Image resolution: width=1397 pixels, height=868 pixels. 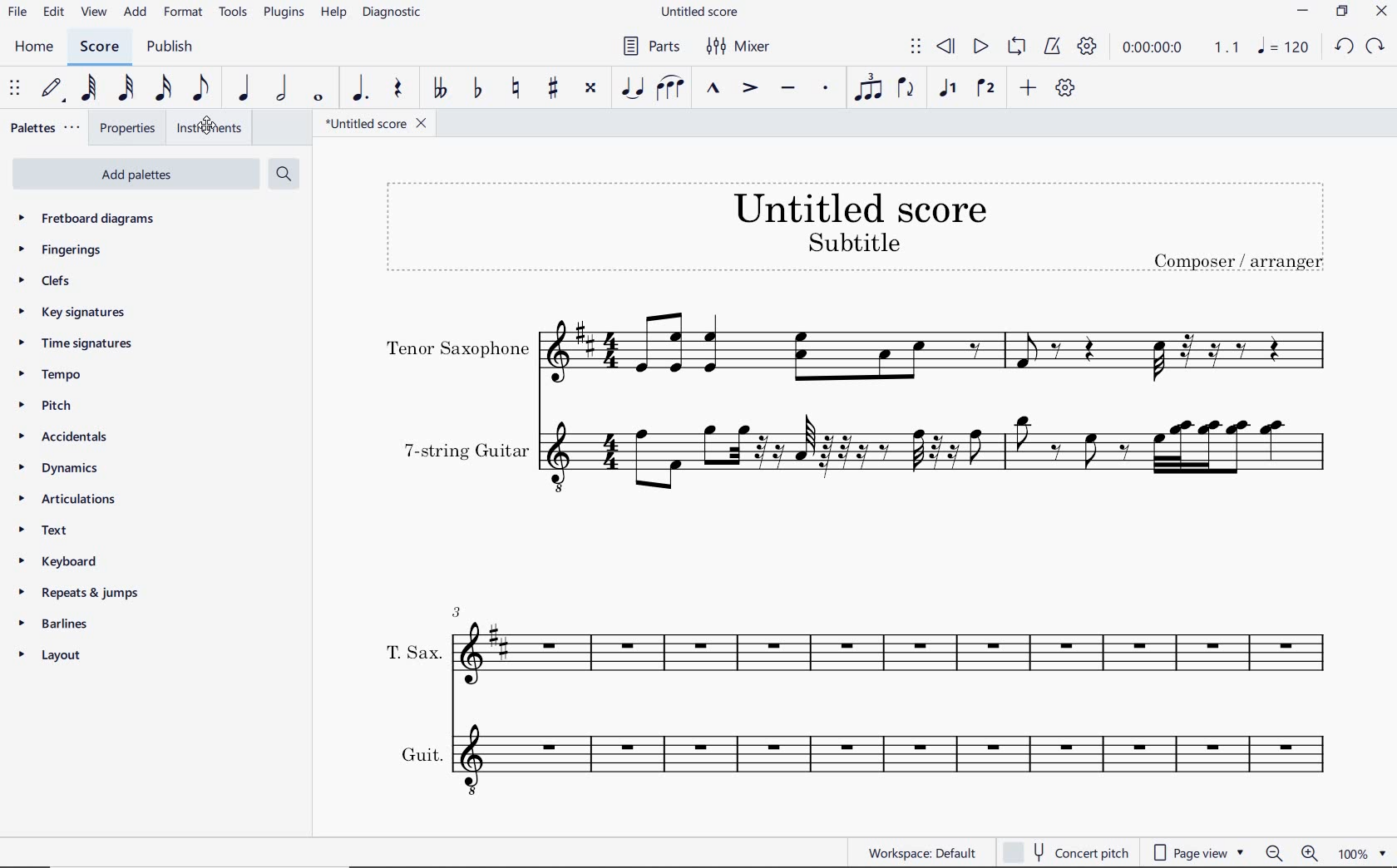 What do you see at coordinates (185, 12) in the screenshot?
I see `FORMAT` at bounding box center [185, 12].